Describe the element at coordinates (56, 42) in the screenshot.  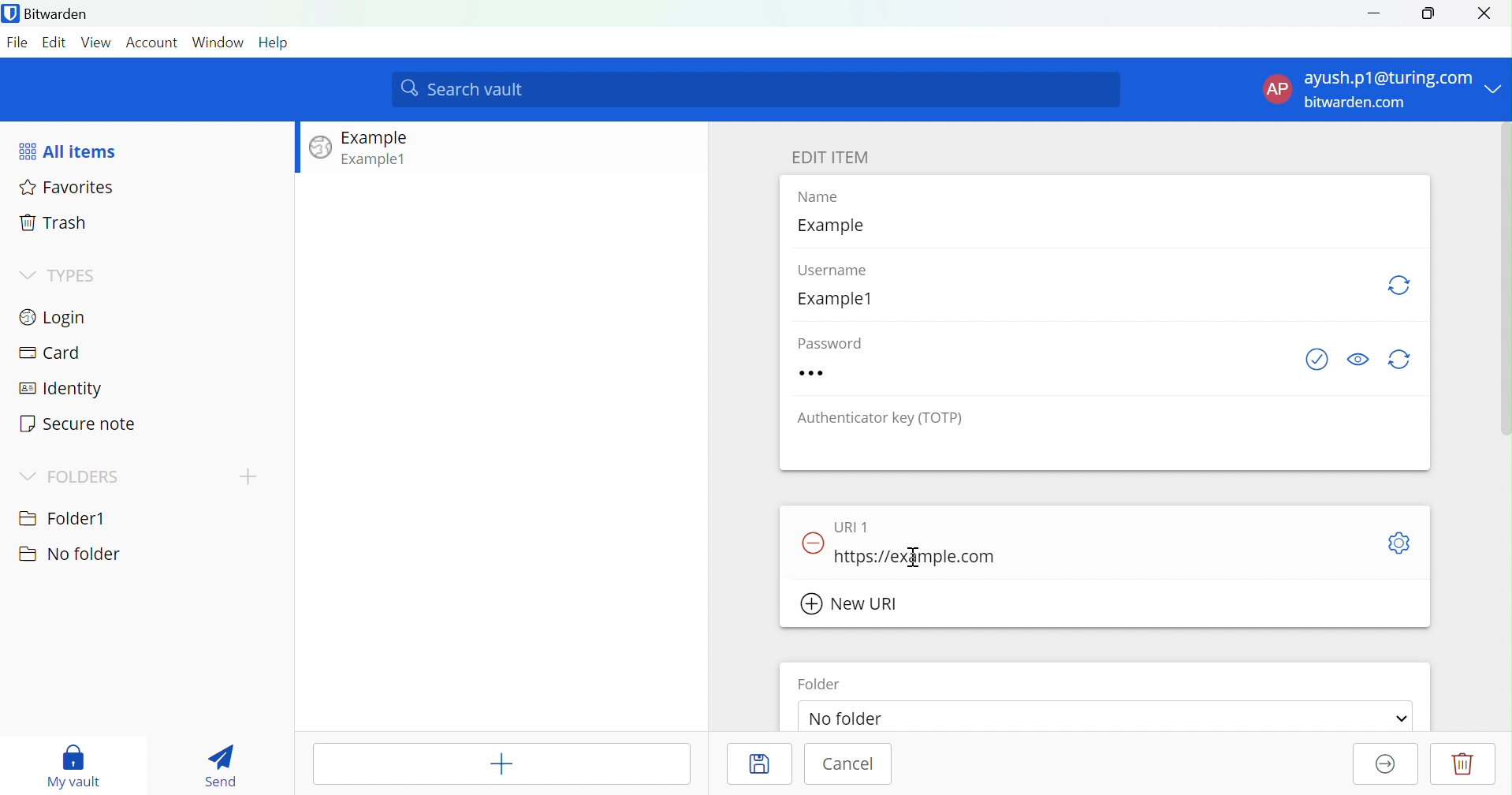
I see `Edit` at that location.